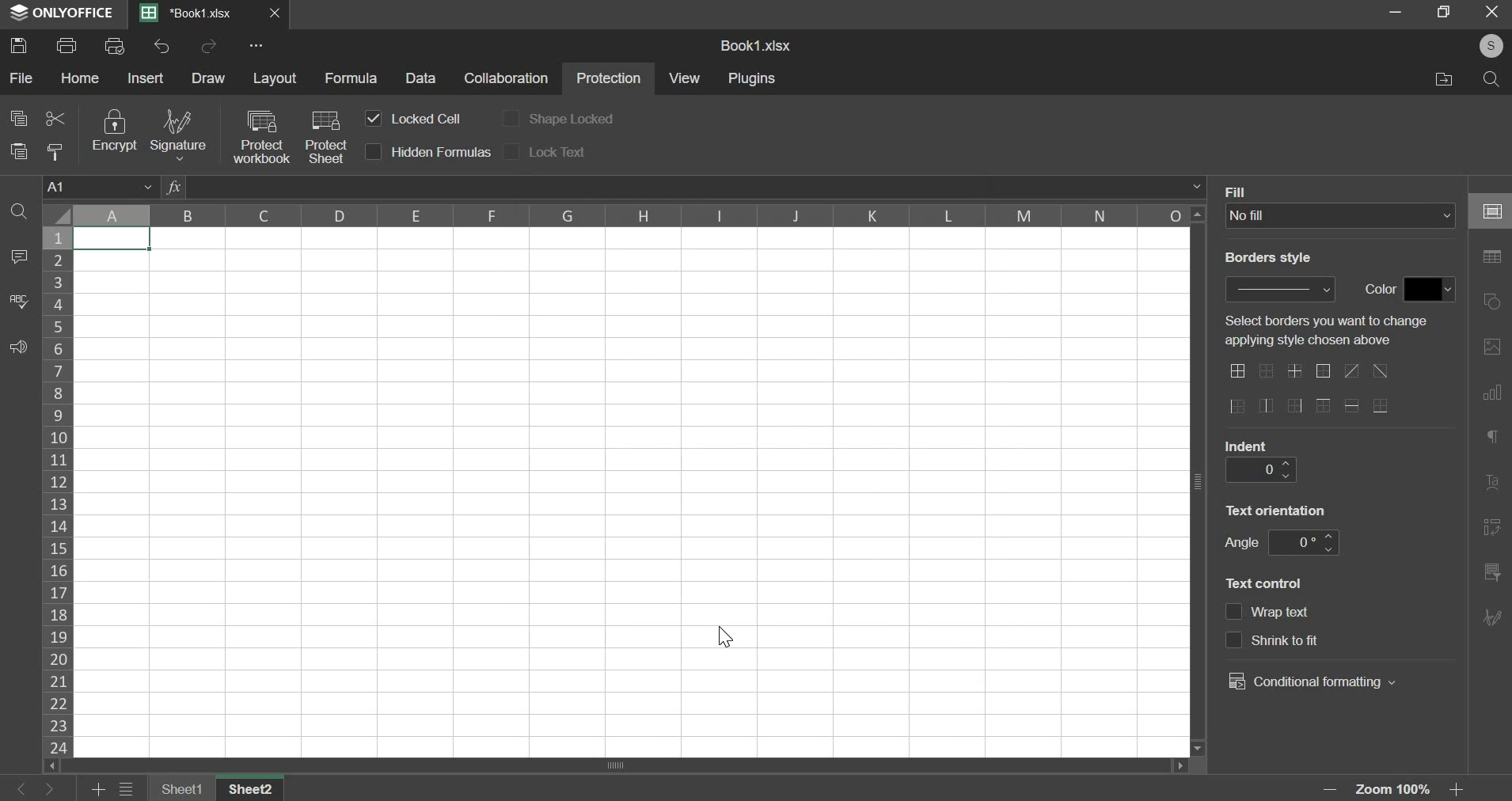 This screenshot has height=801, width=1512. I want to click on Border style, so click(1276, 261).